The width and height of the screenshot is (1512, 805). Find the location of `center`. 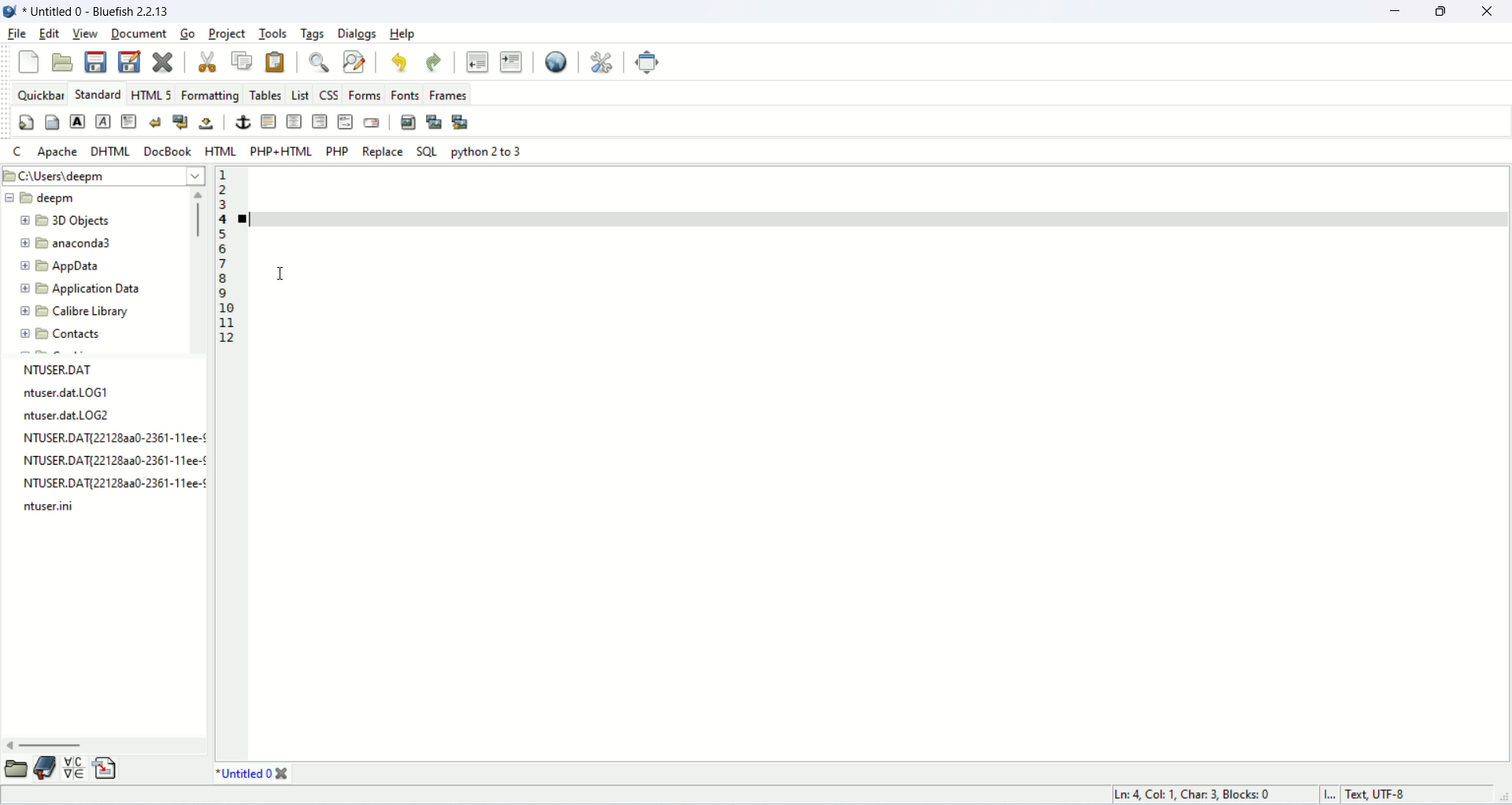

center is located at coordinates (295, 121).